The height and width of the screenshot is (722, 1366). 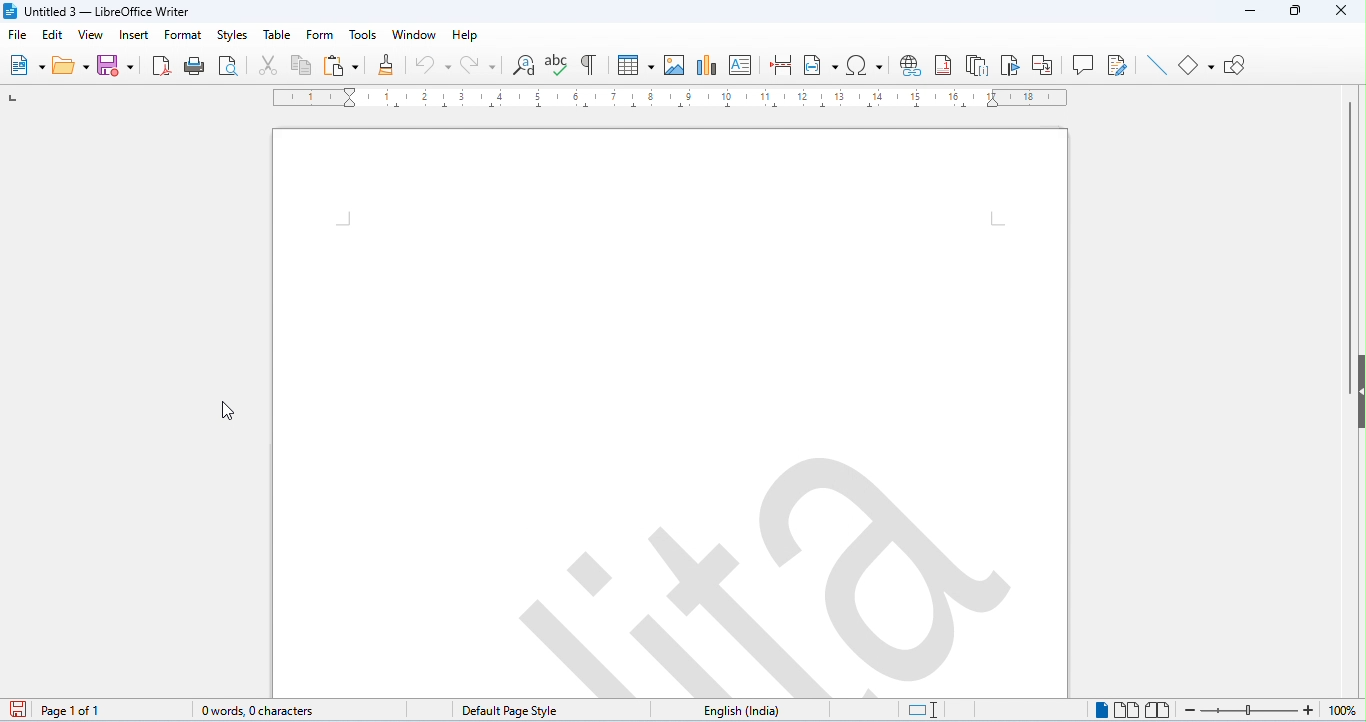 What do you see at coordinates (18, 37) in the screenshot?
I see `file` at bounding box center [18, 37].